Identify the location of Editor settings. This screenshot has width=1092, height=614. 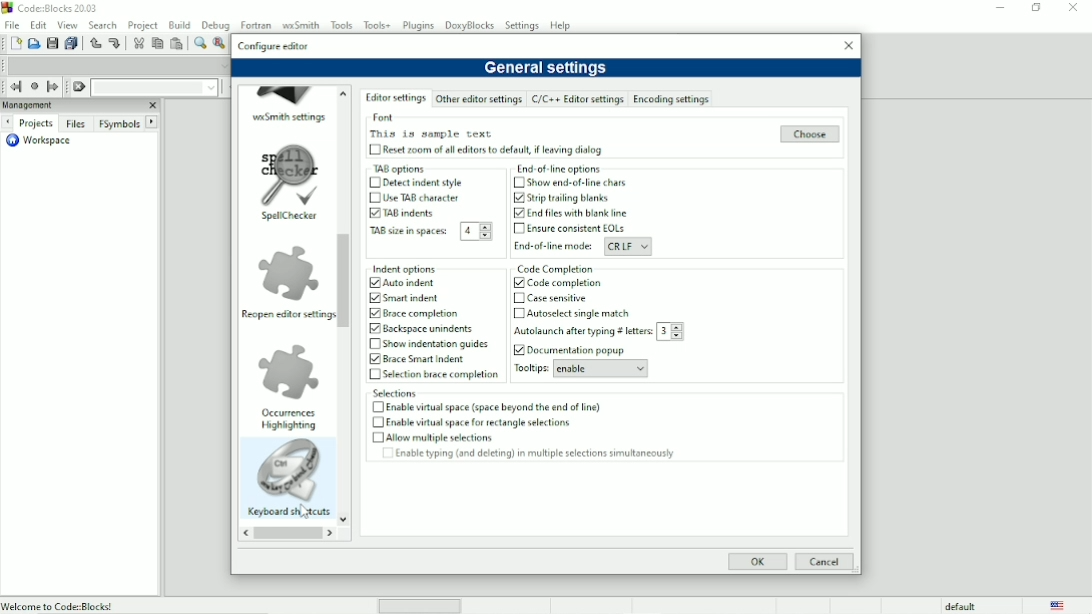
(396, 99).